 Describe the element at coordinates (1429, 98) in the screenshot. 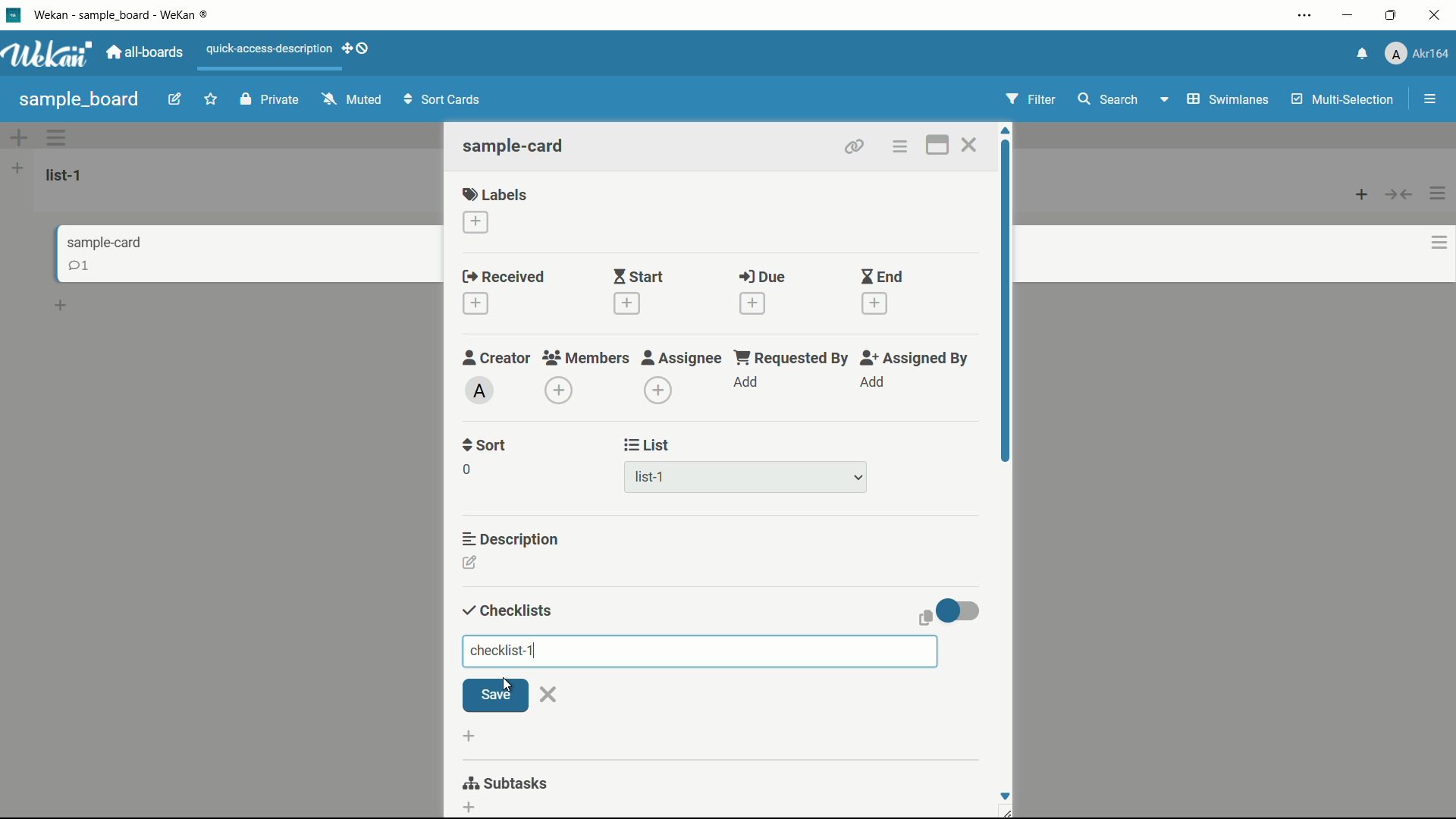

I see `menu` at that location.